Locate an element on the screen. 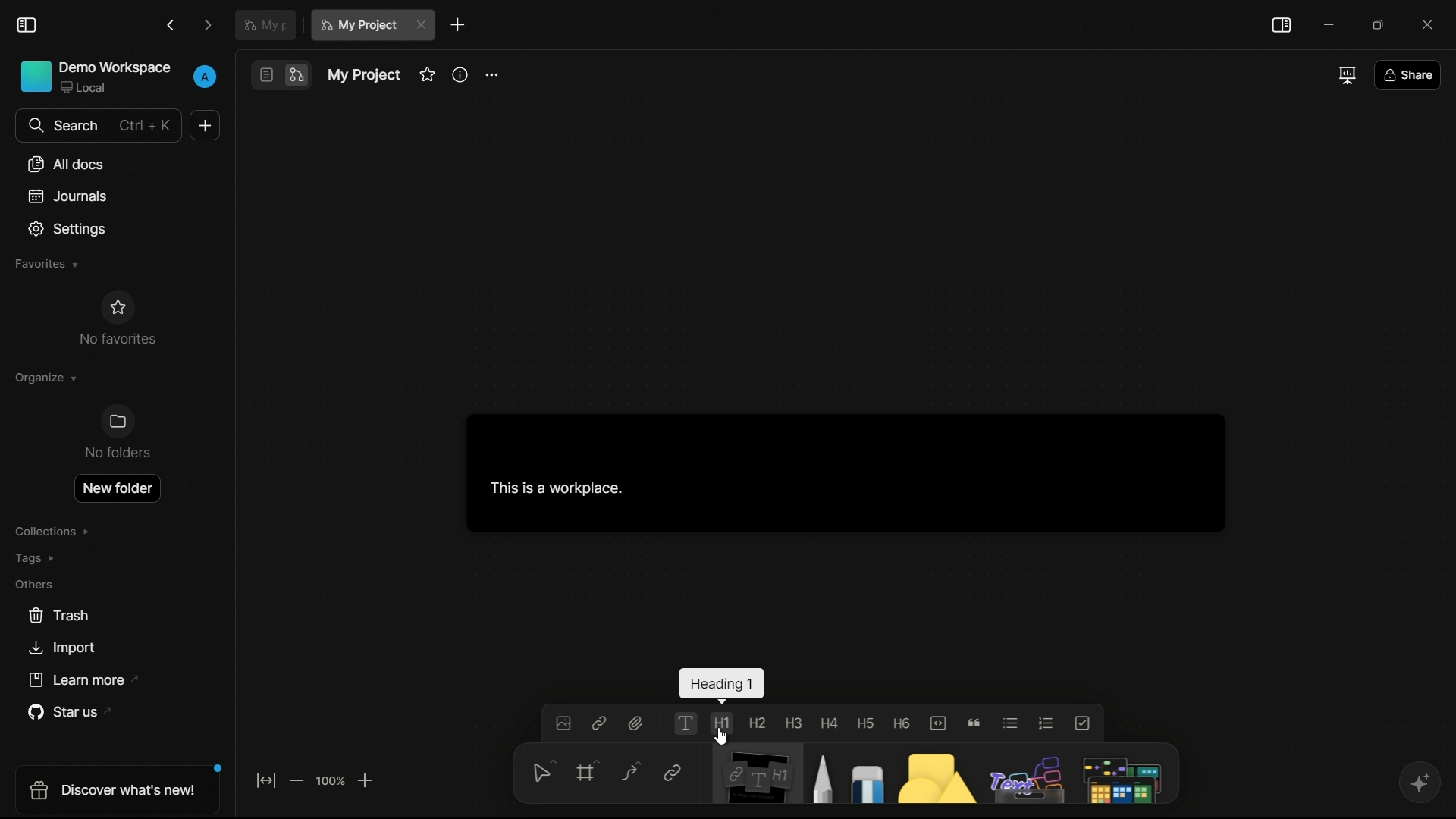  minimize is located at coordinates (1328, 24).